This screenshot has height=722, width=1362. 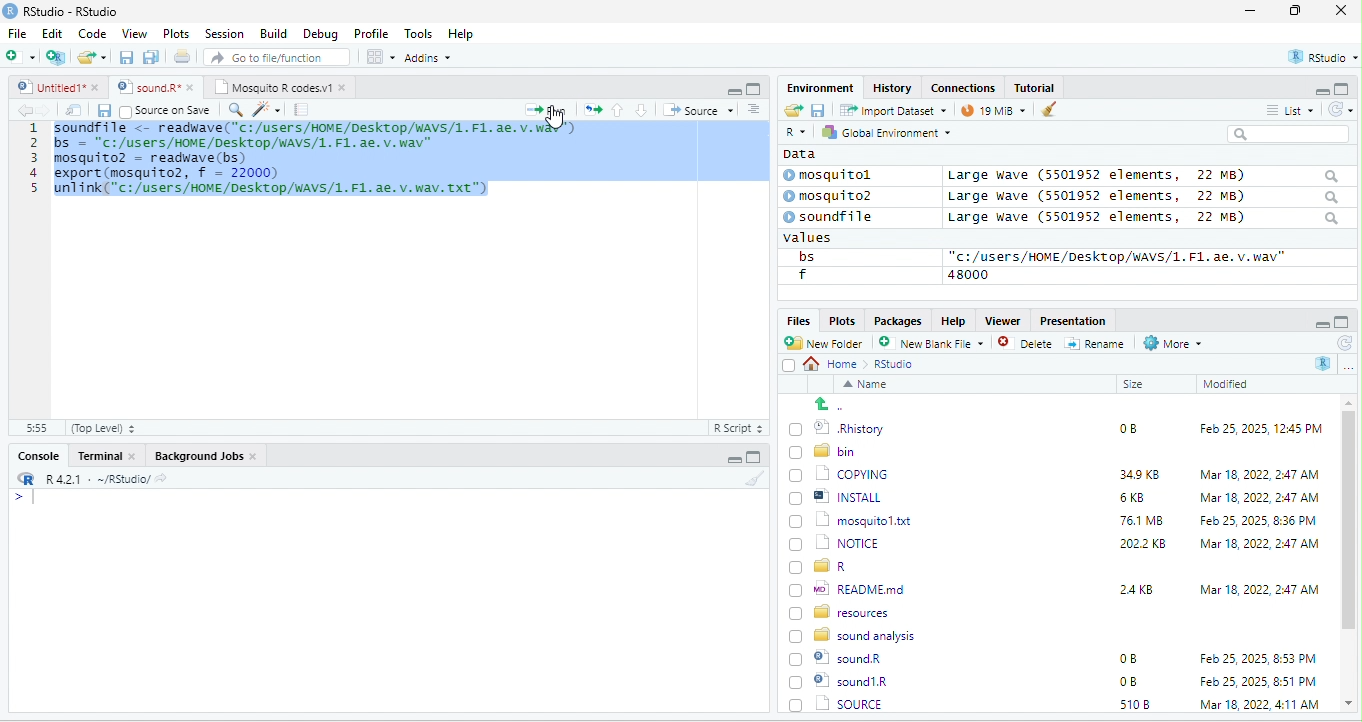 I want to click on maximize, so click(x=1344, y=88).